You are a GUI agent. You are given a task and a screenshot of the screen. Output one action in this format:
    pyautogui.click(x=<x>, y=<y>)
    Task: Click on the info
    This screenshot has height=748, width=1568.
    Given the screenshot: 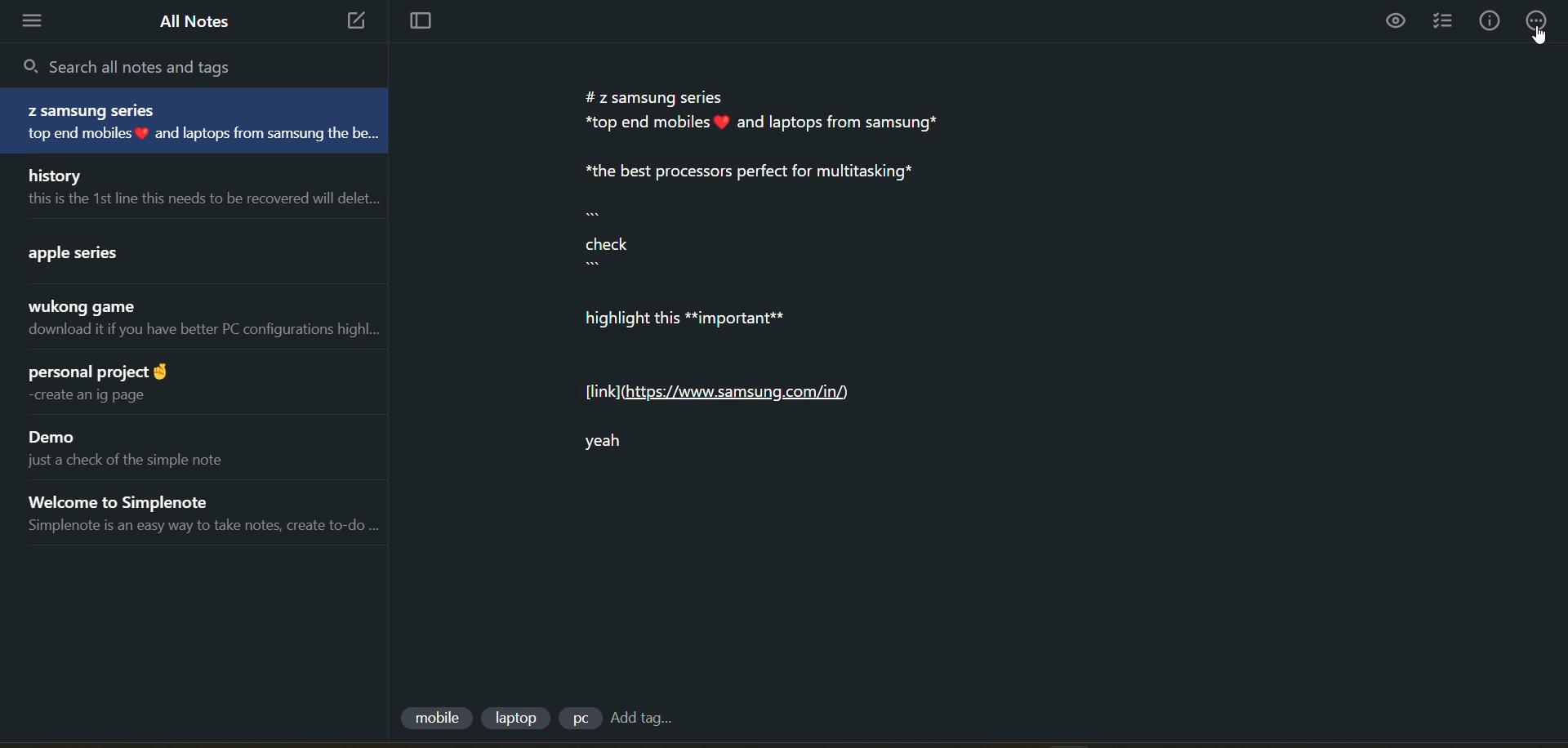 What is the action you would take?
    pyautogui.click(x=1490, y=21)
    